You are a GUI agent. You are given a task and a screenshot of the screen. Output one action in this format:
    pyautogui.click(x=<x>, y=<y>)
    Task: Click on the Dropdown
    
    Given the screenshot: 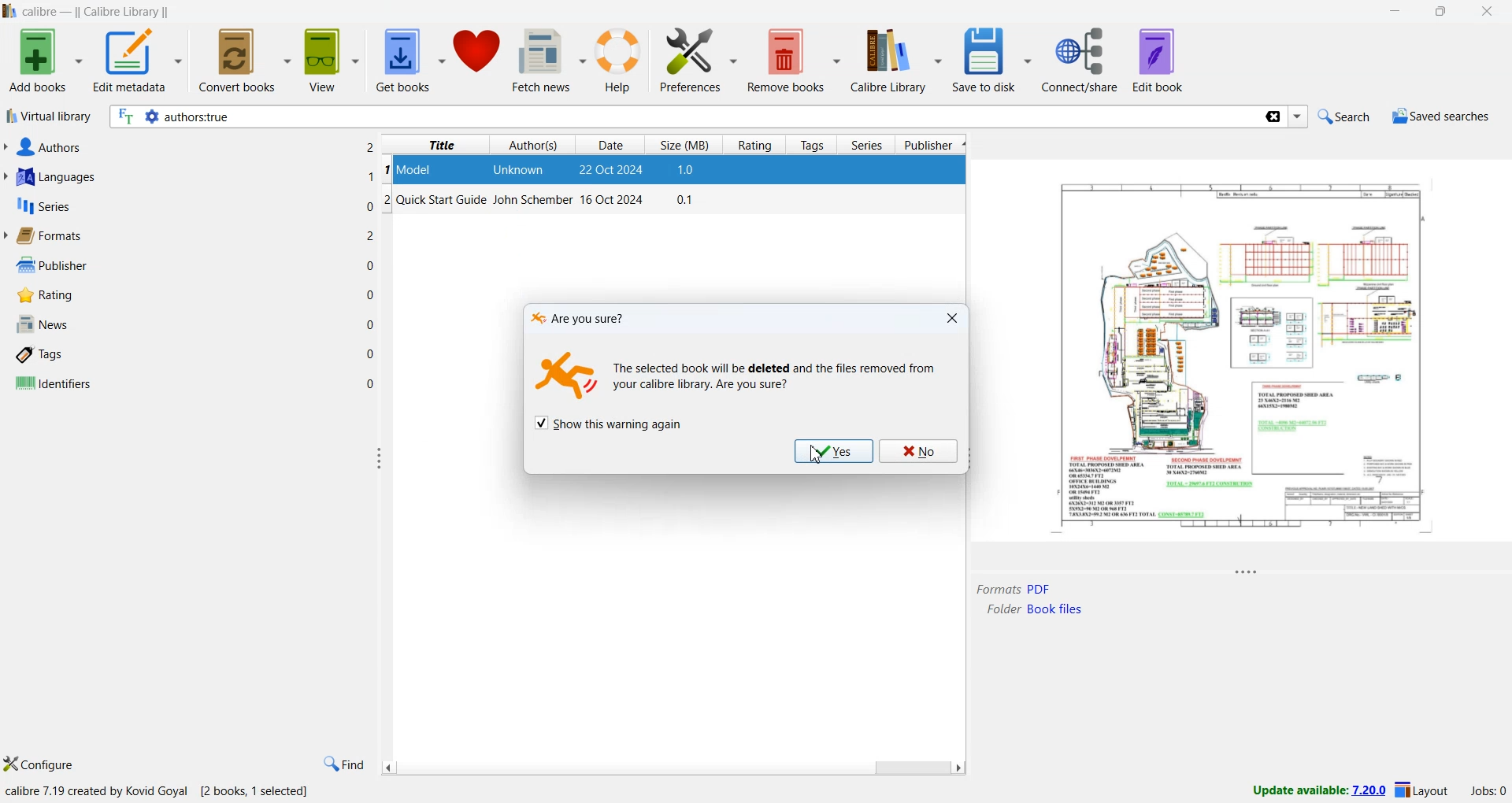 What is the action you would take?
    pyautogui.click(x=1299, y=117)
    